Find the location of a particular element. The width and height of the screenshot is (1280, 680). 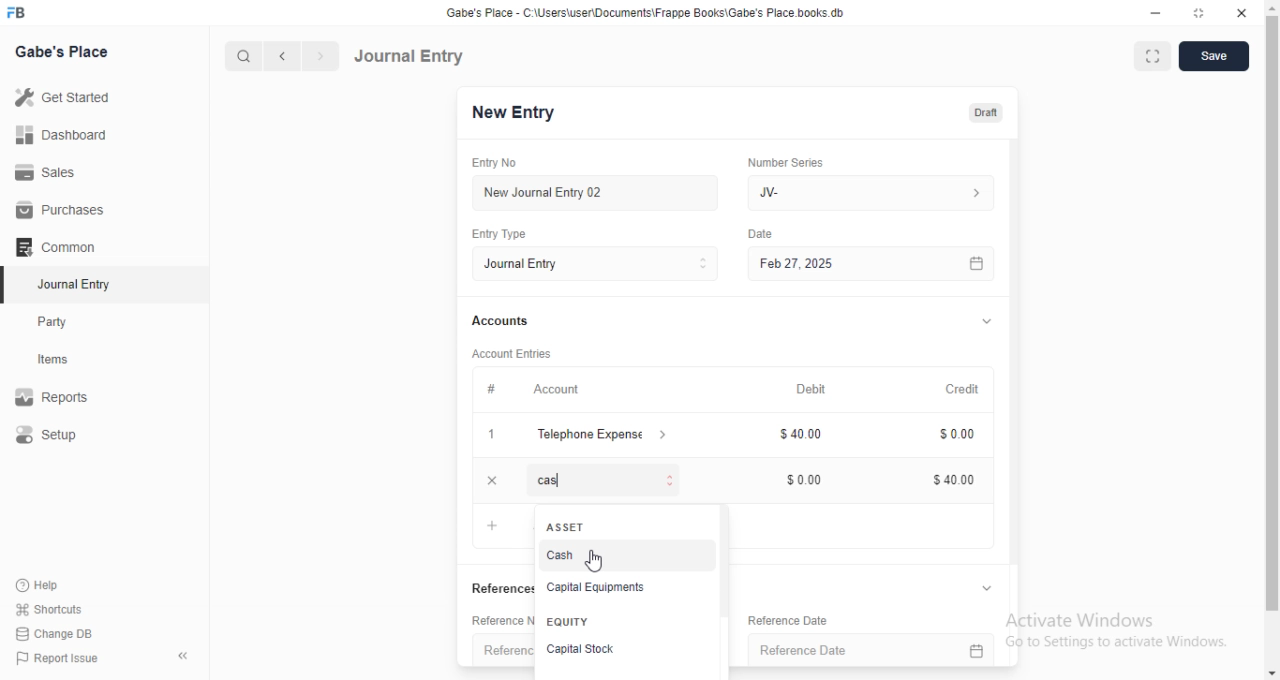

Journal Entry is located at coordinates (603, 264).